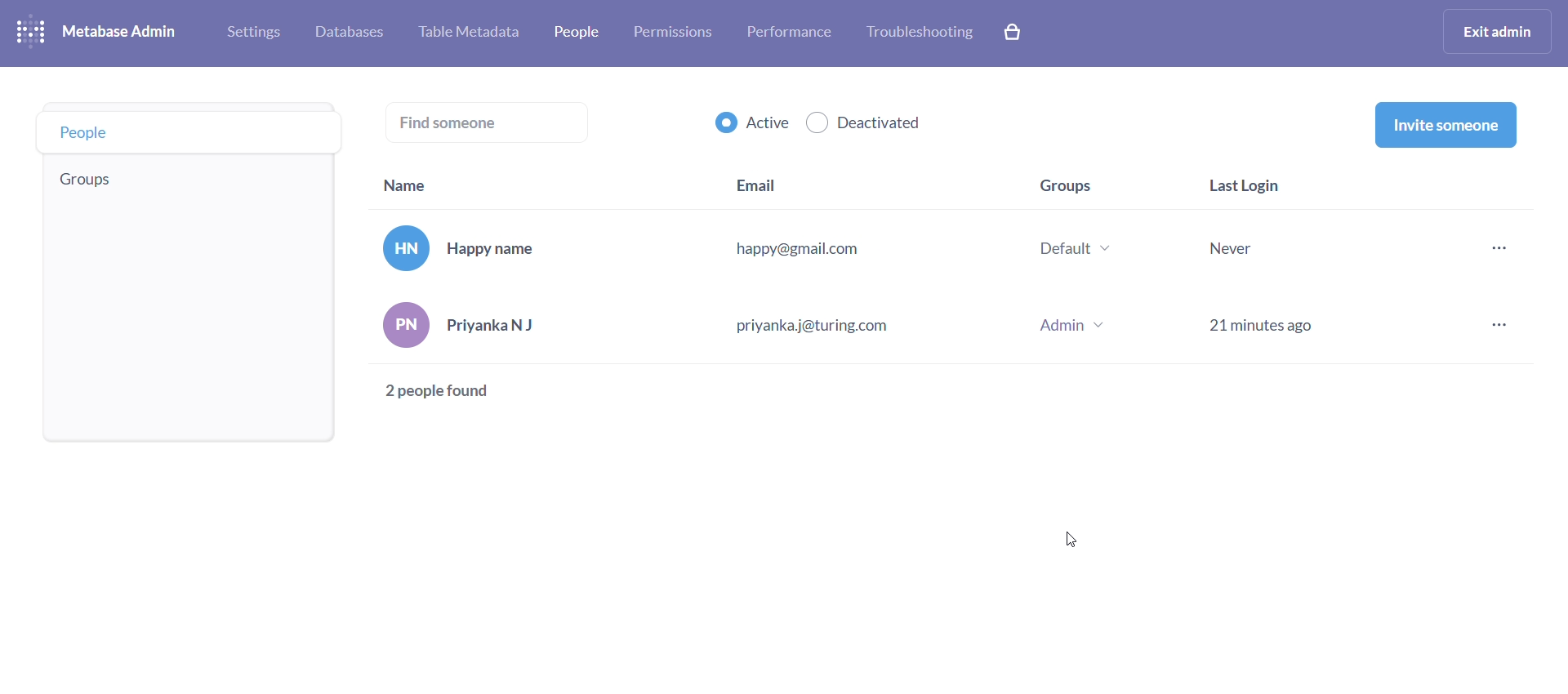 This screenshot has width=1568, height=694. I want to click on  Happy name happy@gmail.com Default ~ Never, so click(839, 247).